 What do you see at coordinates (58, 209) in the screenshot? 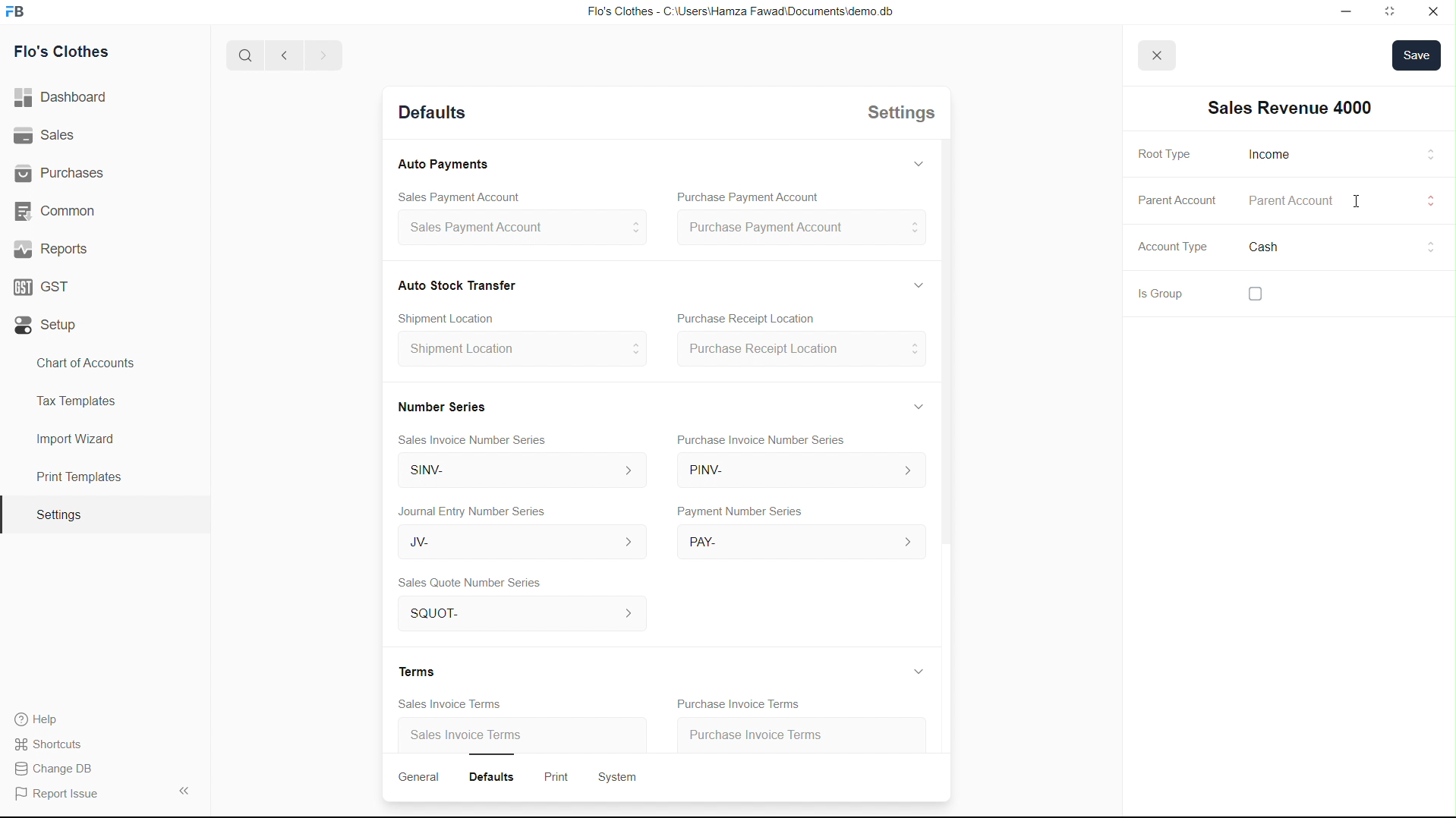
I see `Common` at bounding box center [58, 209].